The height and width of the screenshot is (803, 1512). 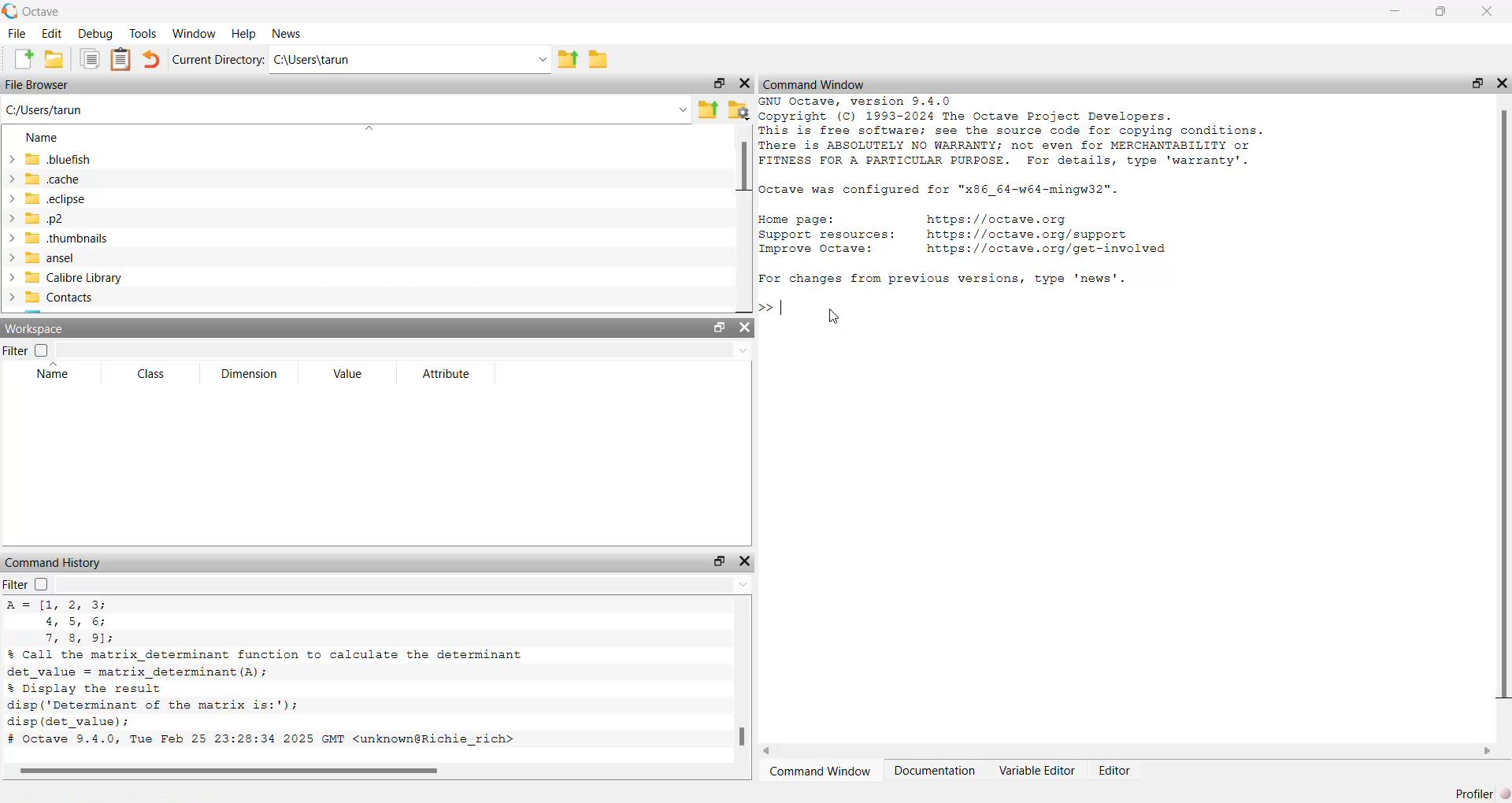 What do you see at coordinates (55, 60) in the screenshot?
I see `open an existing file in editor` at bounding box center [55, 60].